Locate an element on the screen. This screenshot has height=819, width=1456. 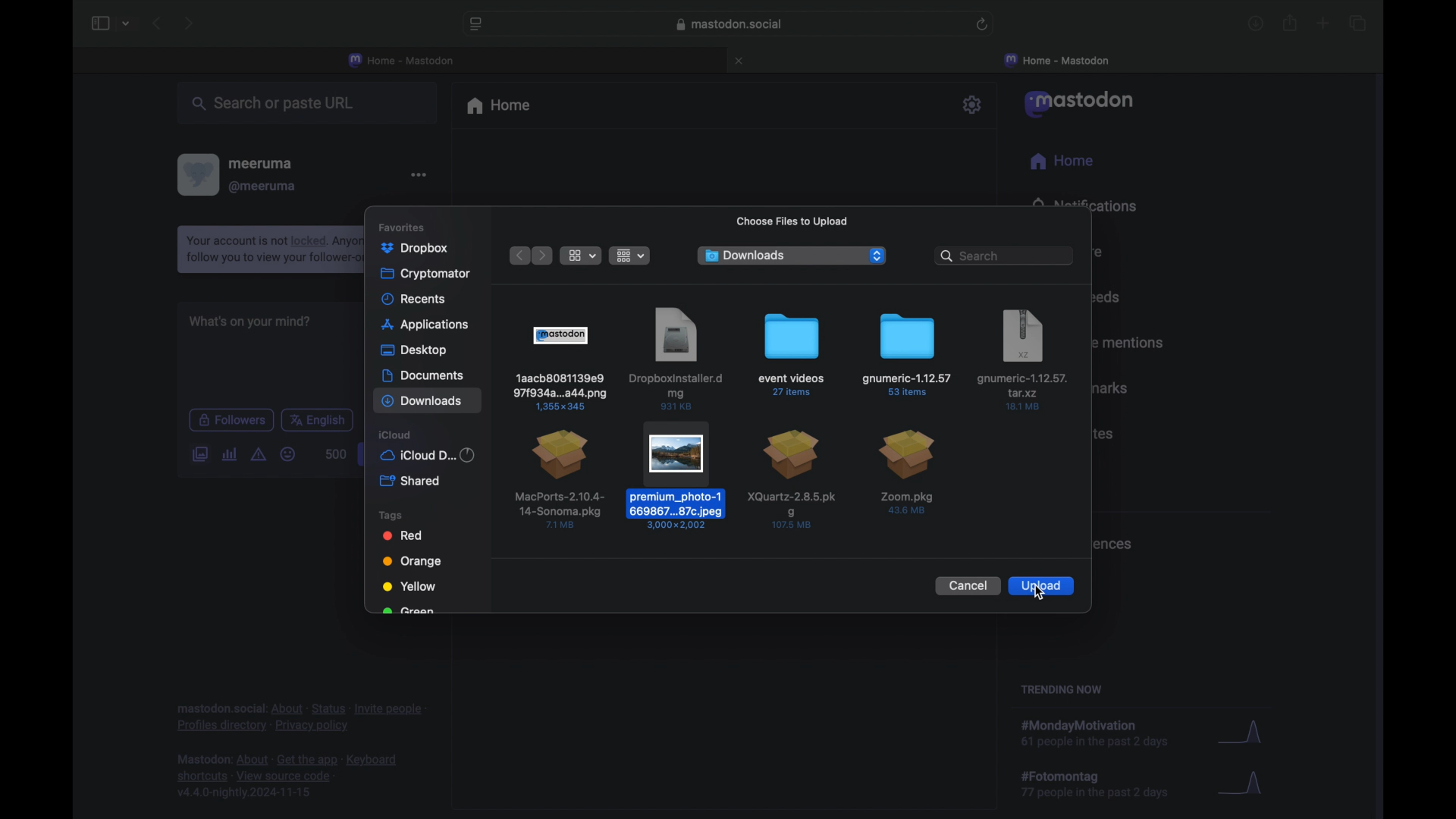
add image is located at coordinates (199, 453).